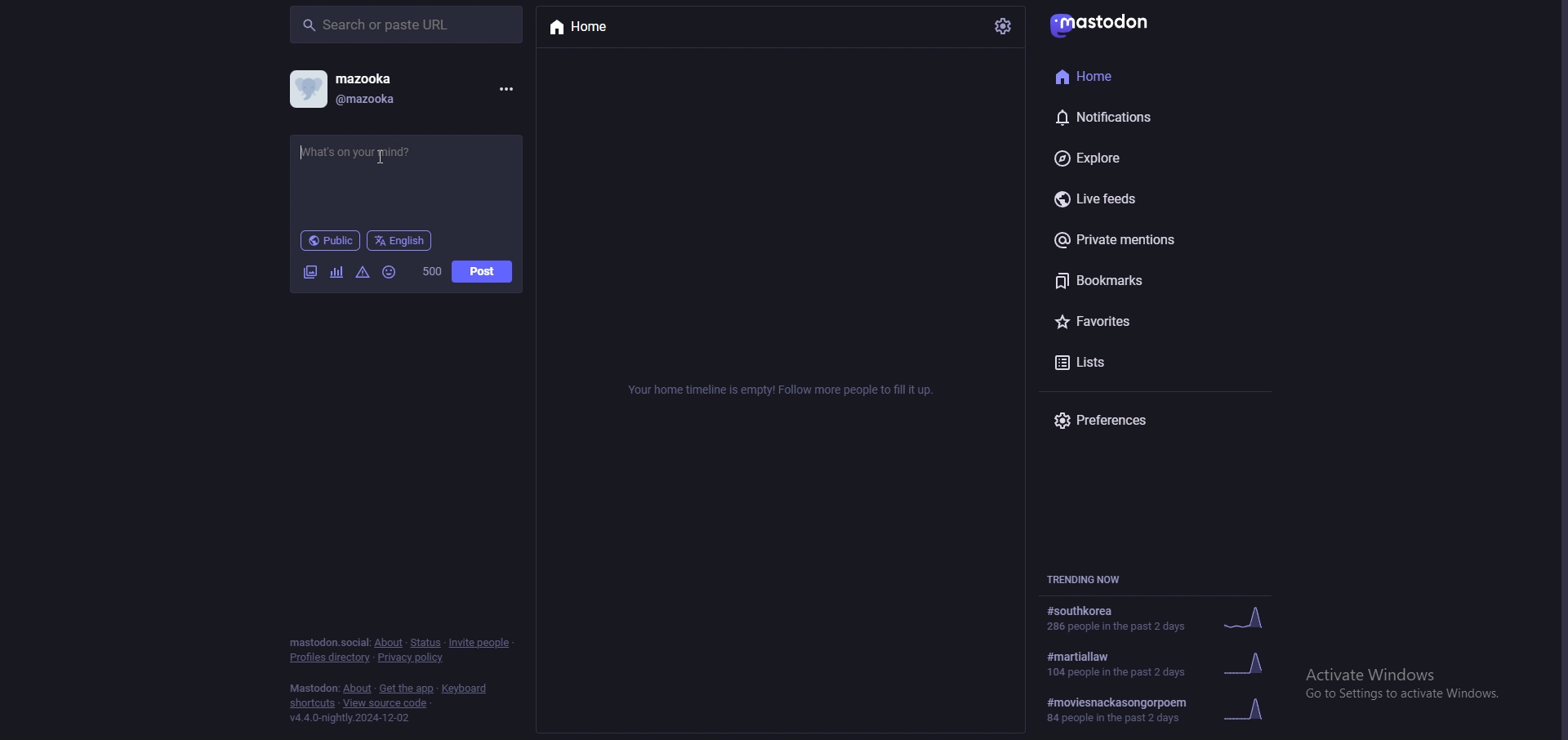  Describe the element at coordinates (1085, 578) in the screenshot. I see `trending now` at that location.